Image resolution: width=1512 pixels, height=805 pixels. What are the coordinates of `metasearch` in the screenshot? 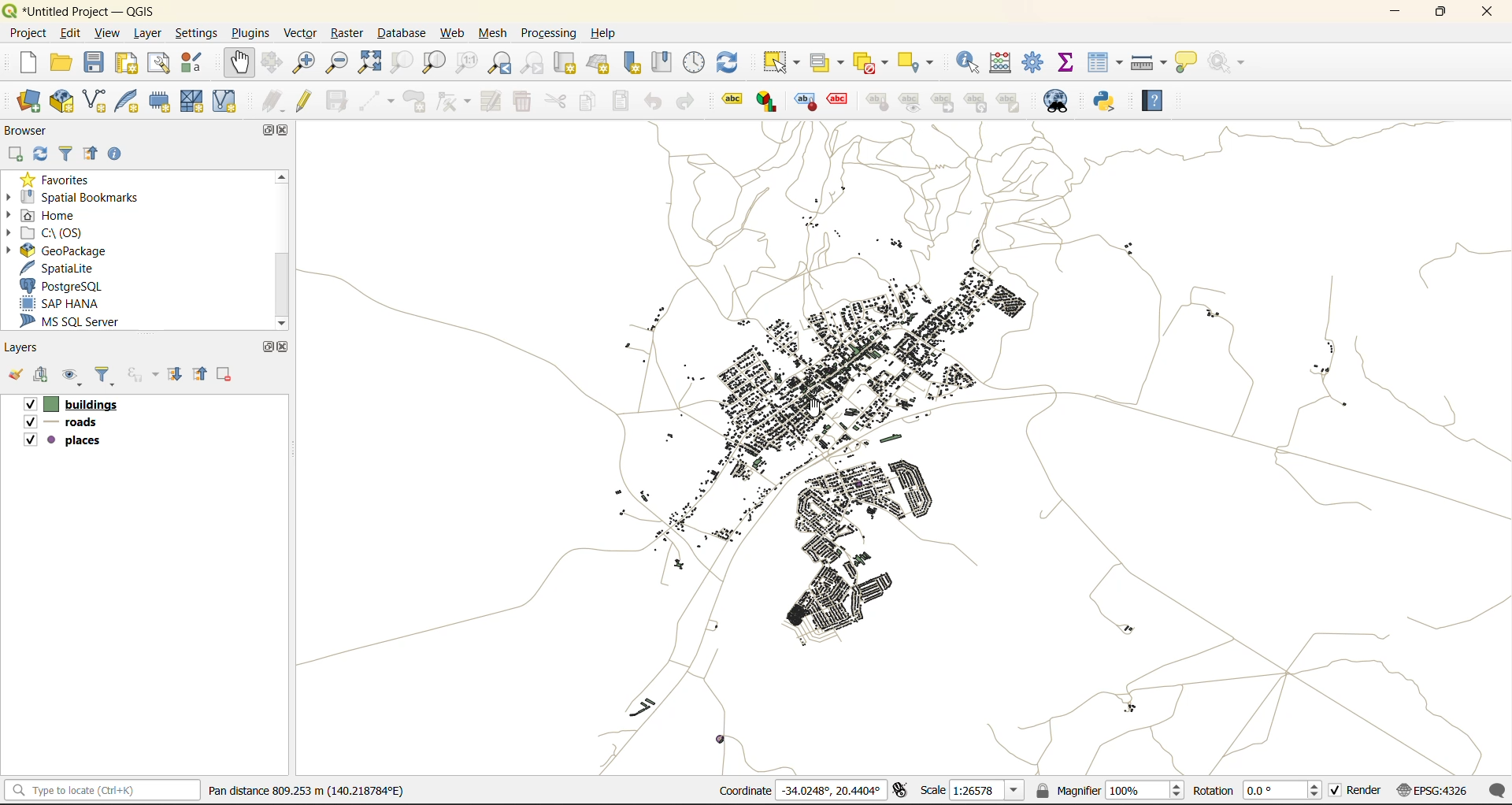 It's located at (1056, 99).